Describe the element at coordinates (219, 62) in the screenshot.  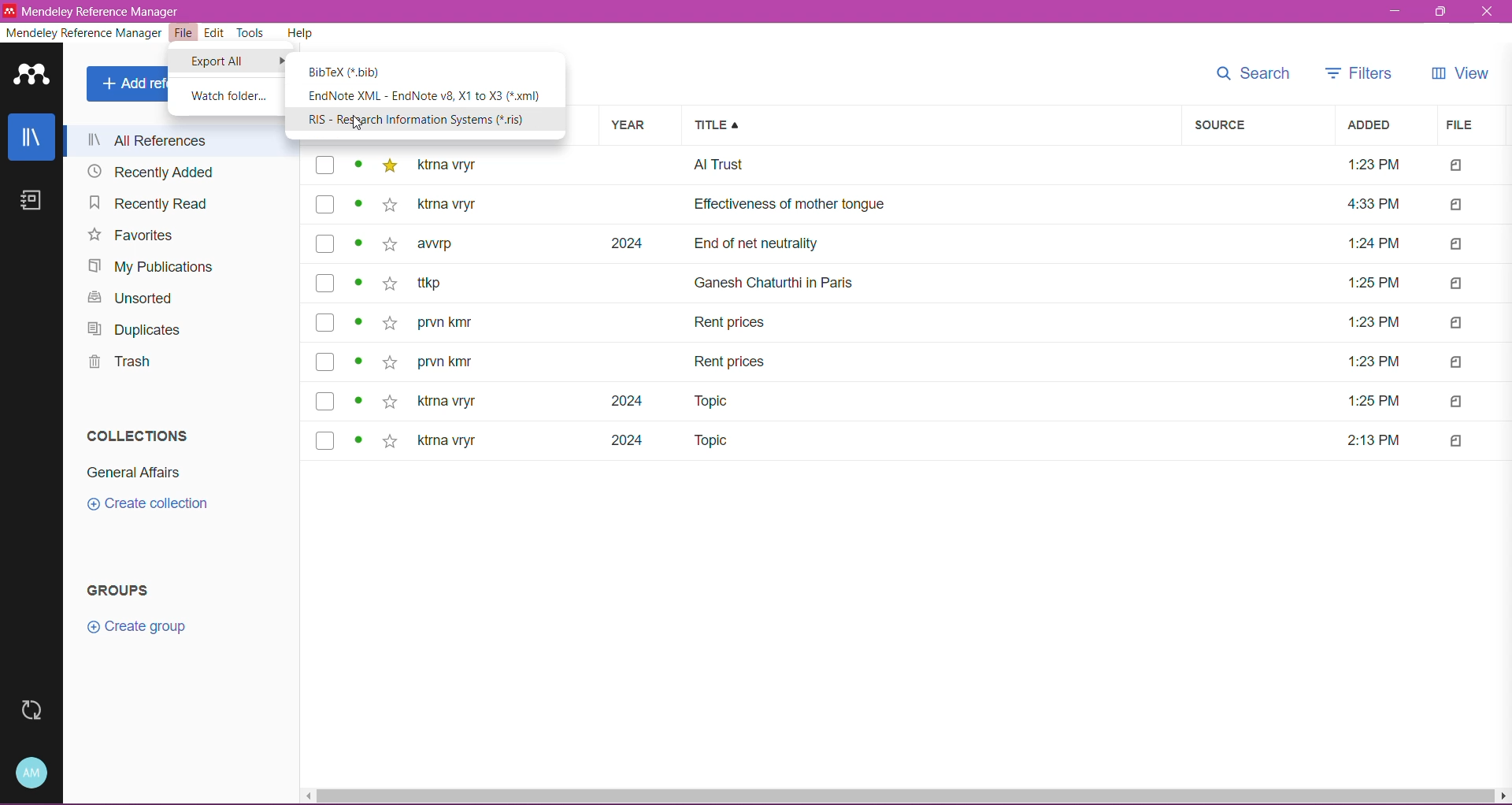
I see `Export All` at that location.